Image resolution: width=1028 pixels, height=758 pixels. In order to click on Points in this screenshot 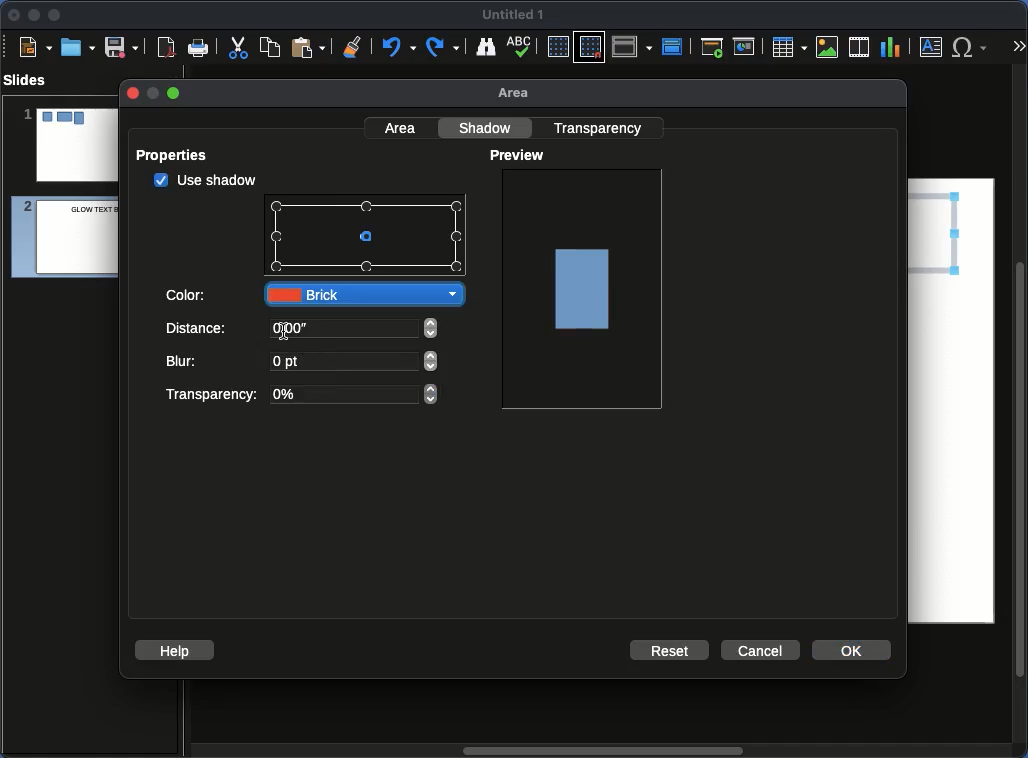, I will do `click(367, 238)`.